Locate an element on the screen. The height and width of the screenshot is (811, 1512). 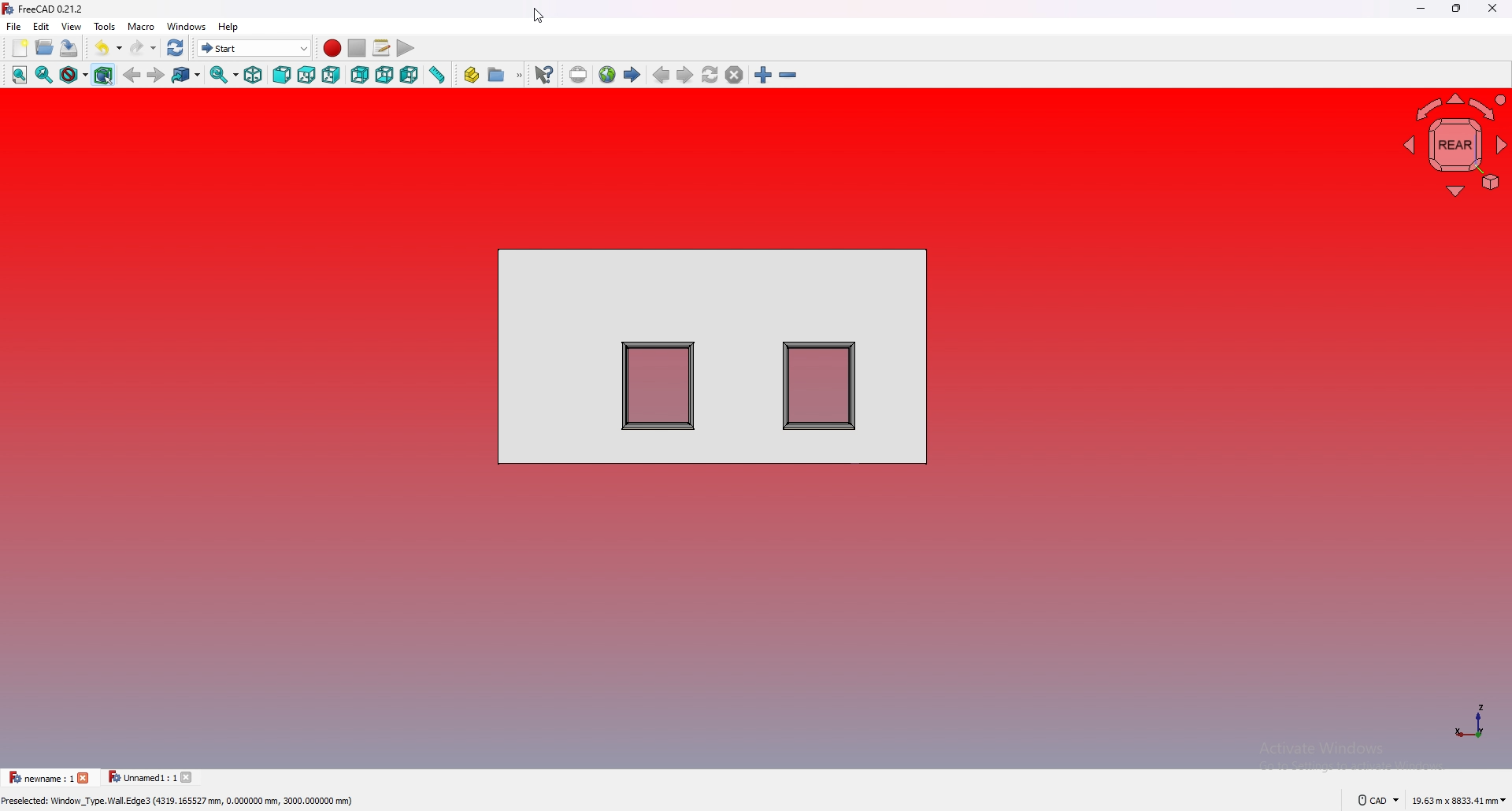
front is located at coordinates (283, 75).